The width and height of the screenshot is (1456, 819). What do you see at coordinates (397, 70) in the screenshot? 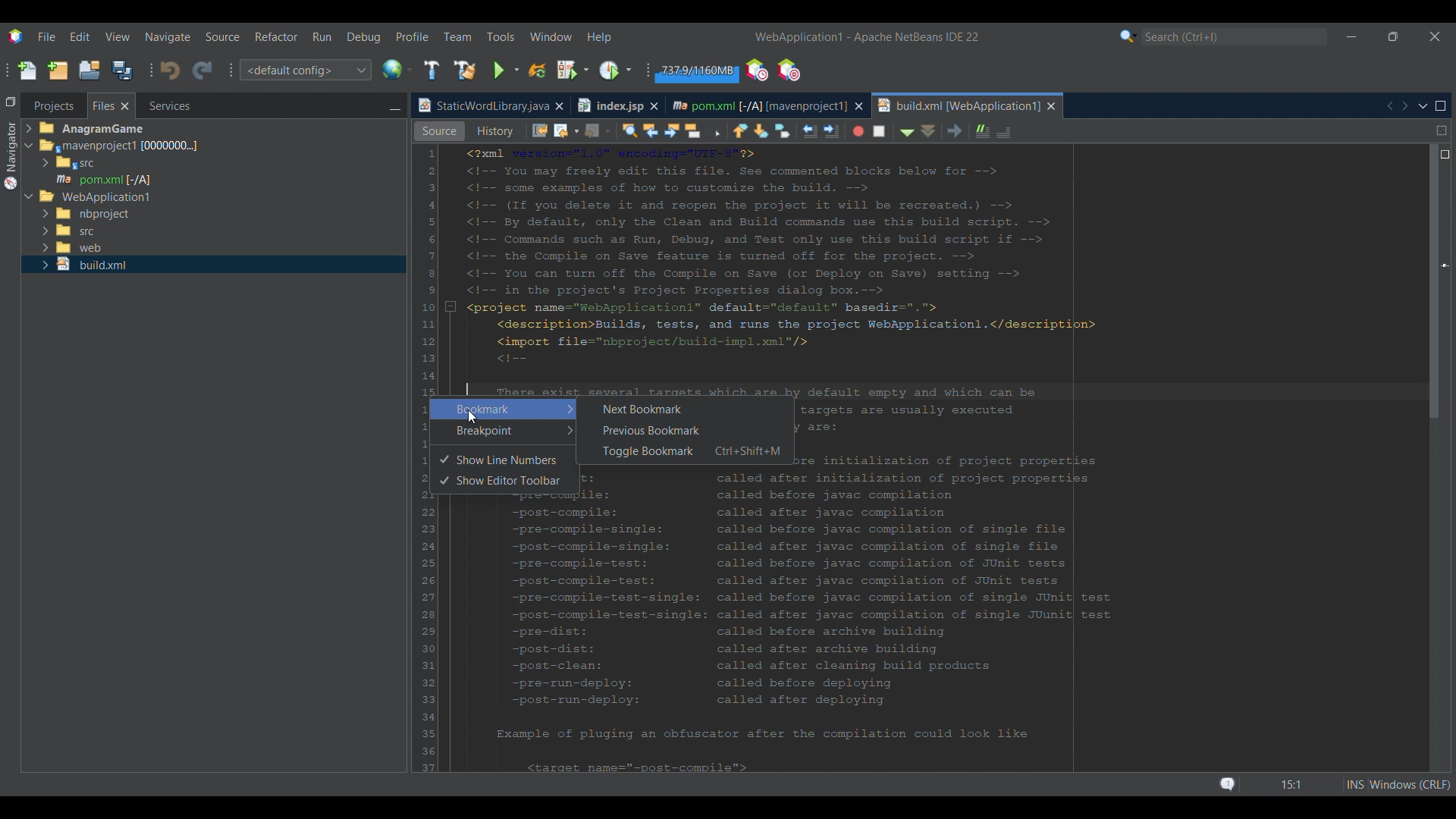
I see `IDE's default browser` at bounding box center [397, 70].